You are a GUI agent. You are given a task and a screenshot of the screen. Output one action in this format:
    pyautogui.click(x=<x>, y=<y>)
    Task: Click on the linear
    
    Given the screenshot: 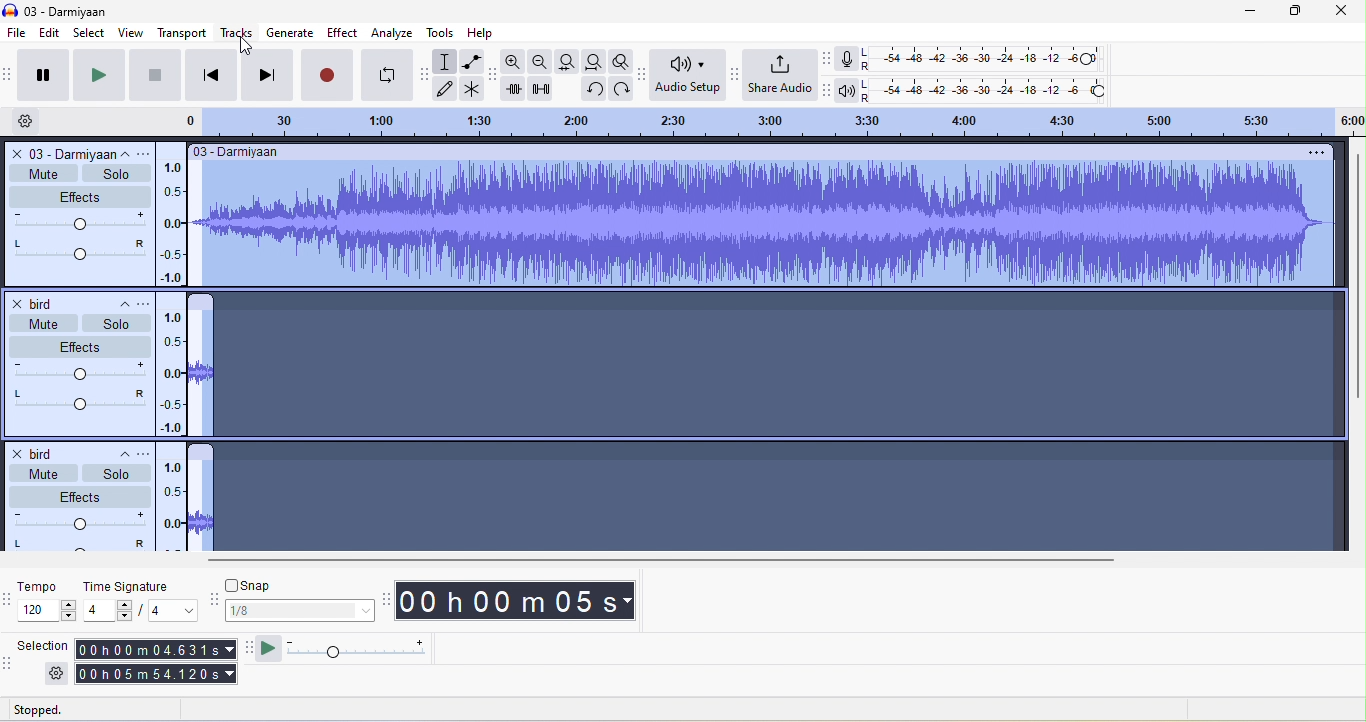 What is the action you would take?
    pyautogui.click(x=172, y=506)
    